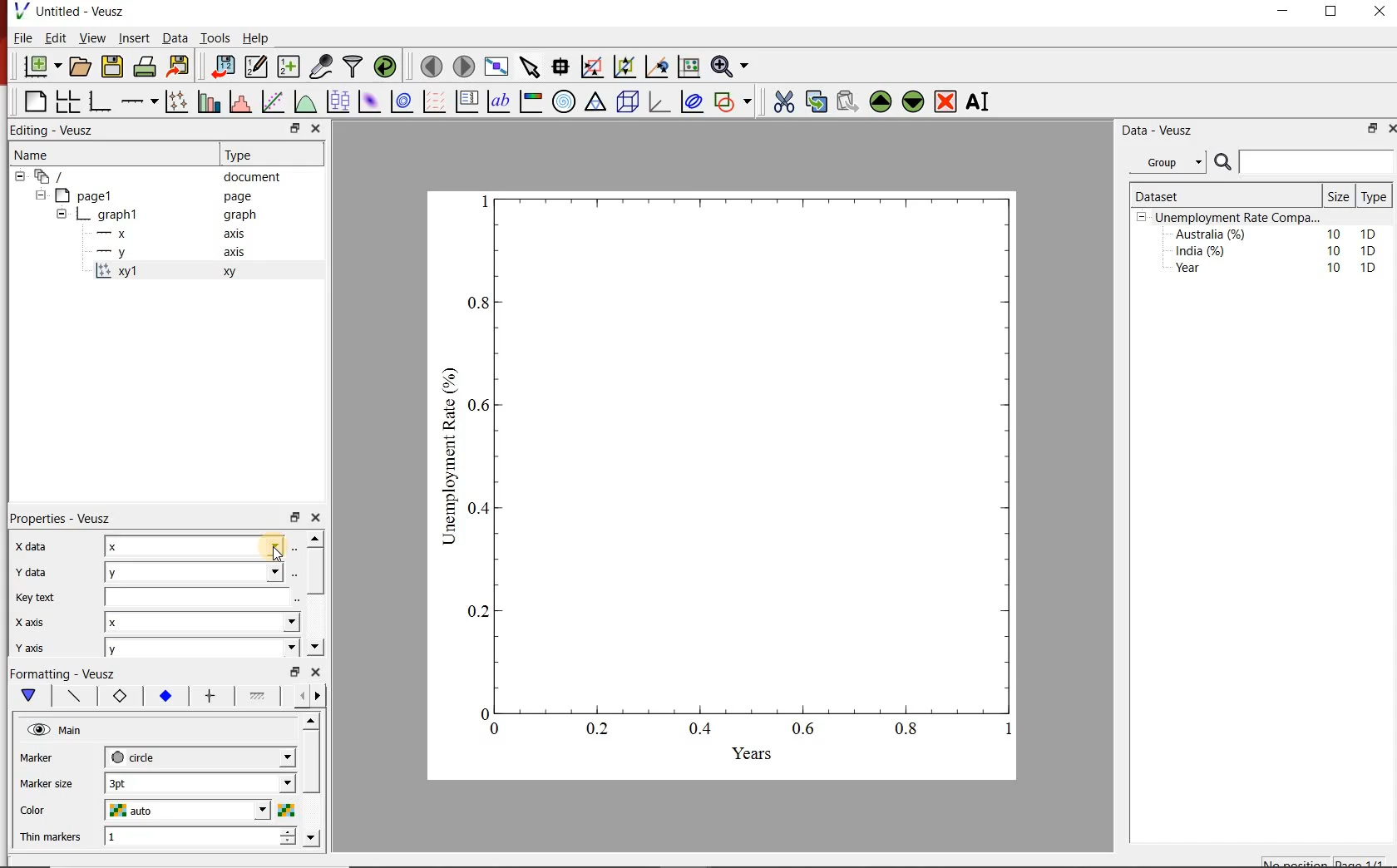  What do you see at coordinates (1287, 15) in the screenshot?
I see `minimise` at bounding box center [1287, 15].